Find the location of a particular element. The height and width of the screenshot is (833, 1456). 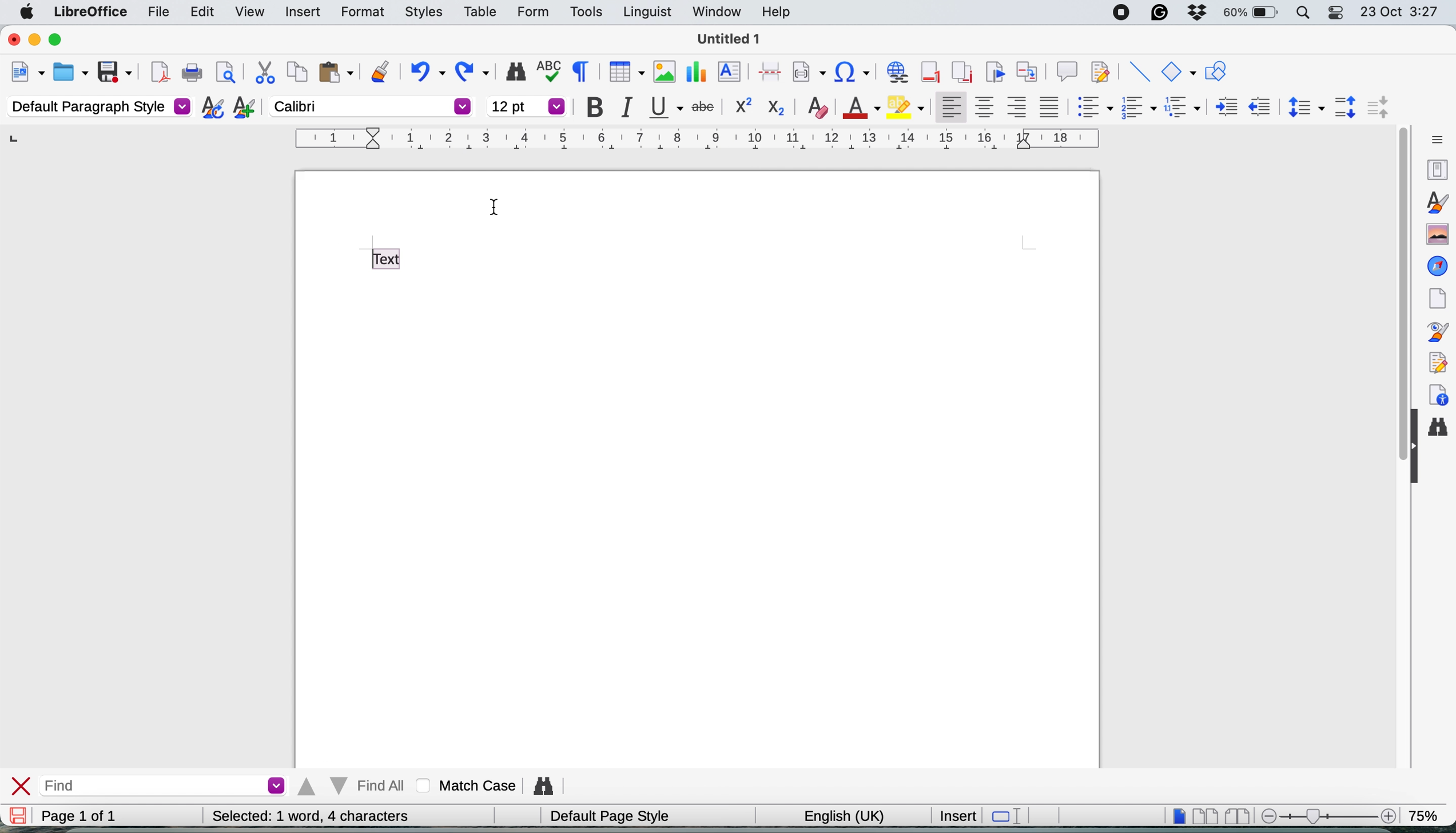

zoom factor is located at coordinates (1429, 814).